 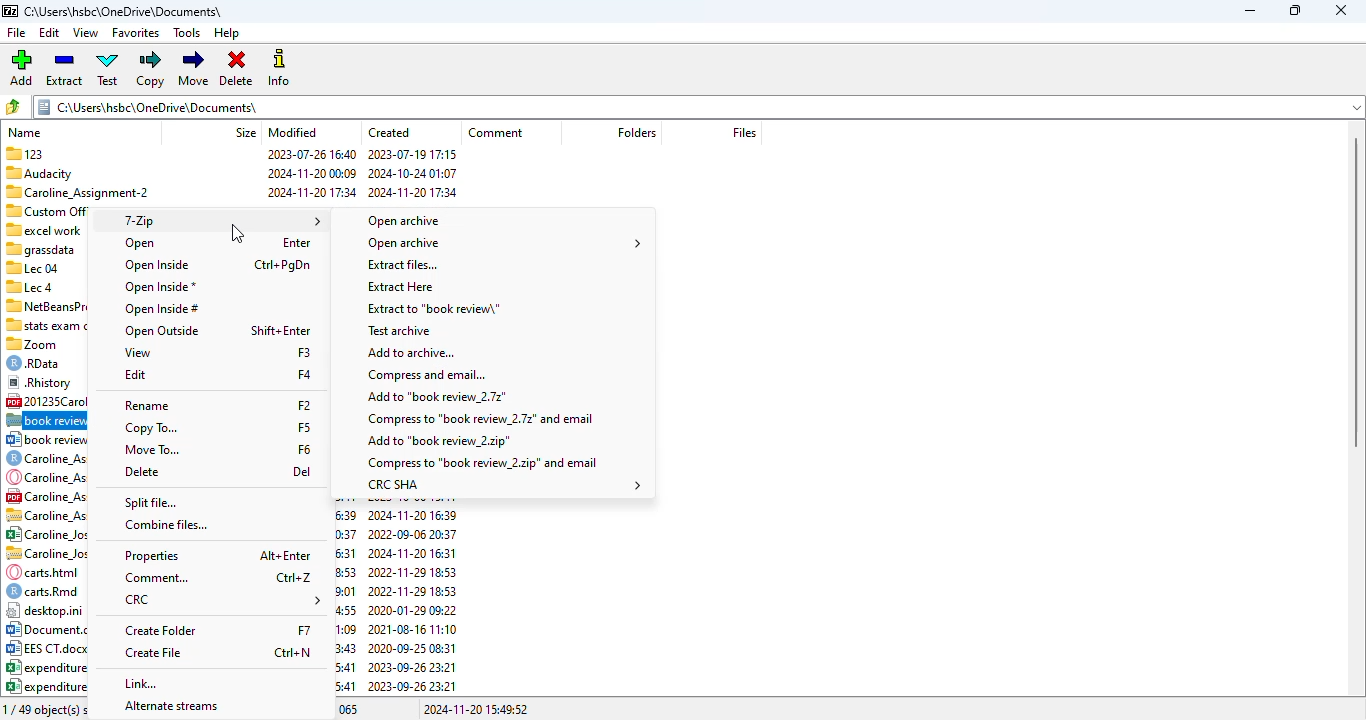 What do you see at coordinates (501, 485) in the screenshot?
I see `CRC SHA` at bounding box center [501, 485].